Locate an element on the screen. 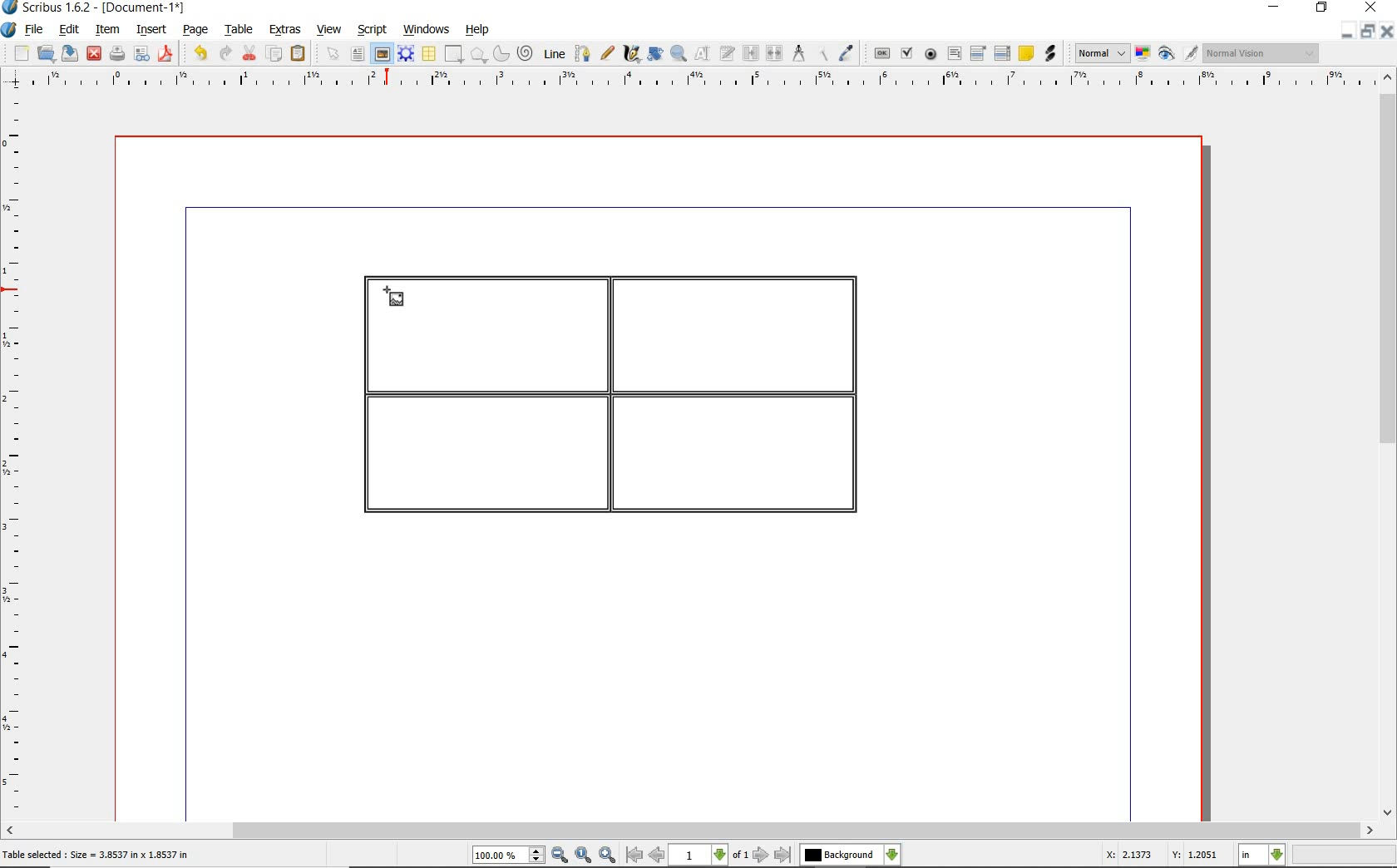 The height and width of the screenshot is (868, 1397). save is located at coordinates (71, 52).